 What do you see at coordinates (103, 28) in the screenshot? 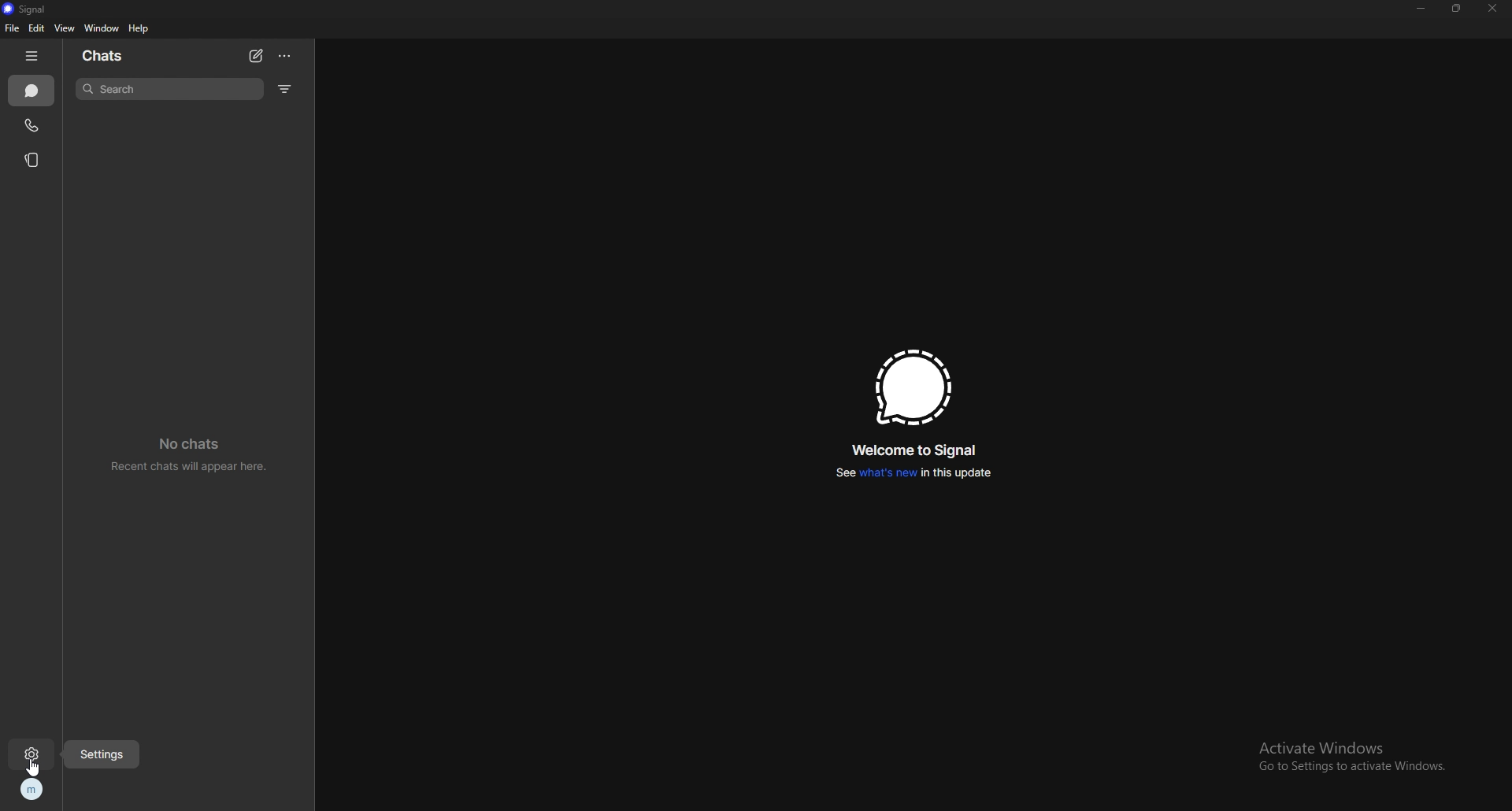
I see `window` at bounding box center [103, 28].